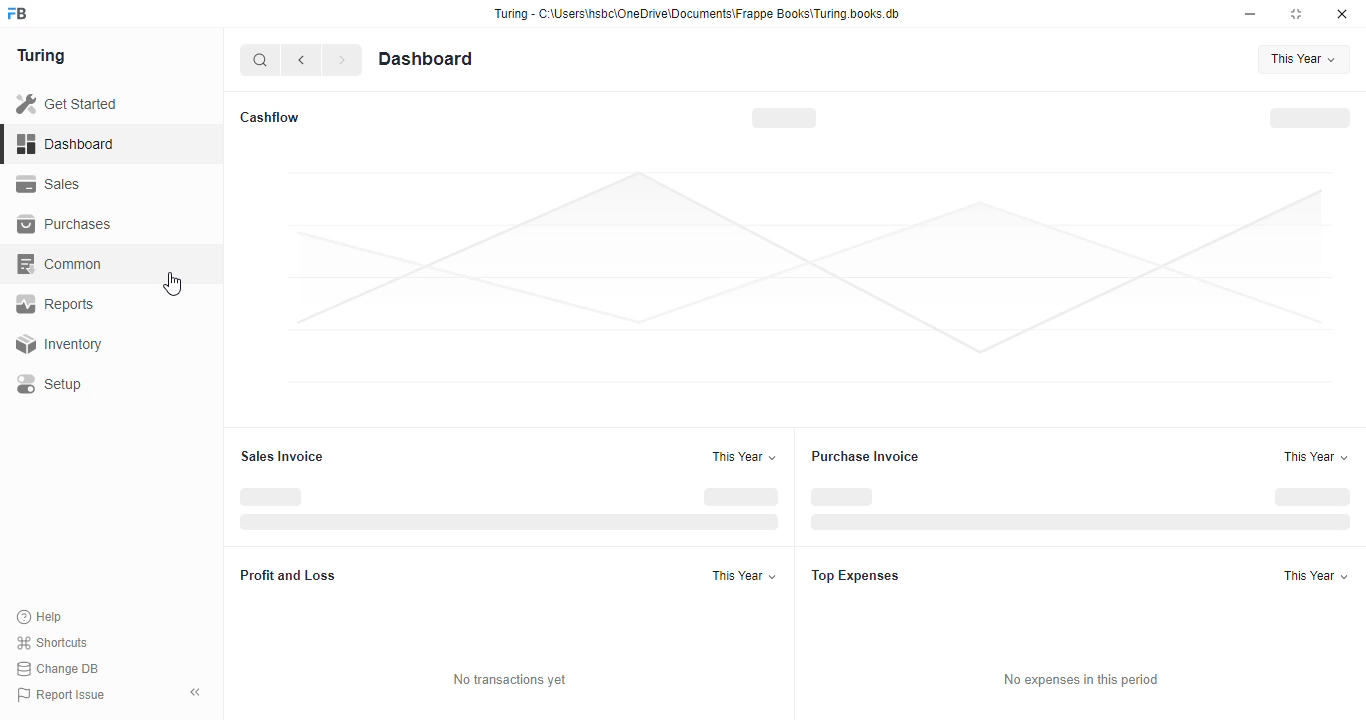 The width and height of the screenshot is (1366, 720). I want to click on dashboard, so click(66, 143).